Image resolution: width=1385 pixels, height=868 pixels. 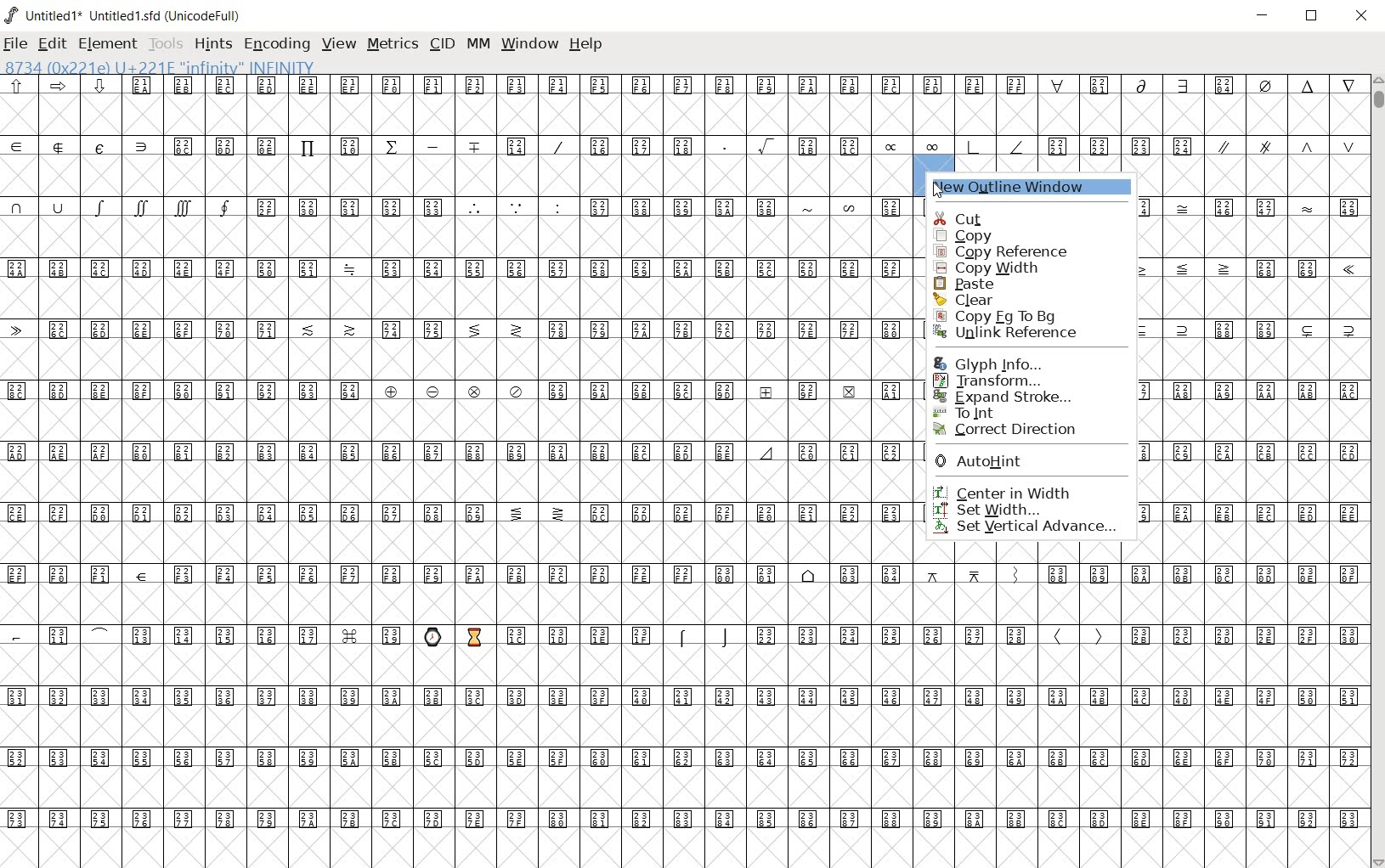 What do you see at coordinates (740, 85) in the screenshot?
I see `Unicode code points` at bounding box center [740, 85].